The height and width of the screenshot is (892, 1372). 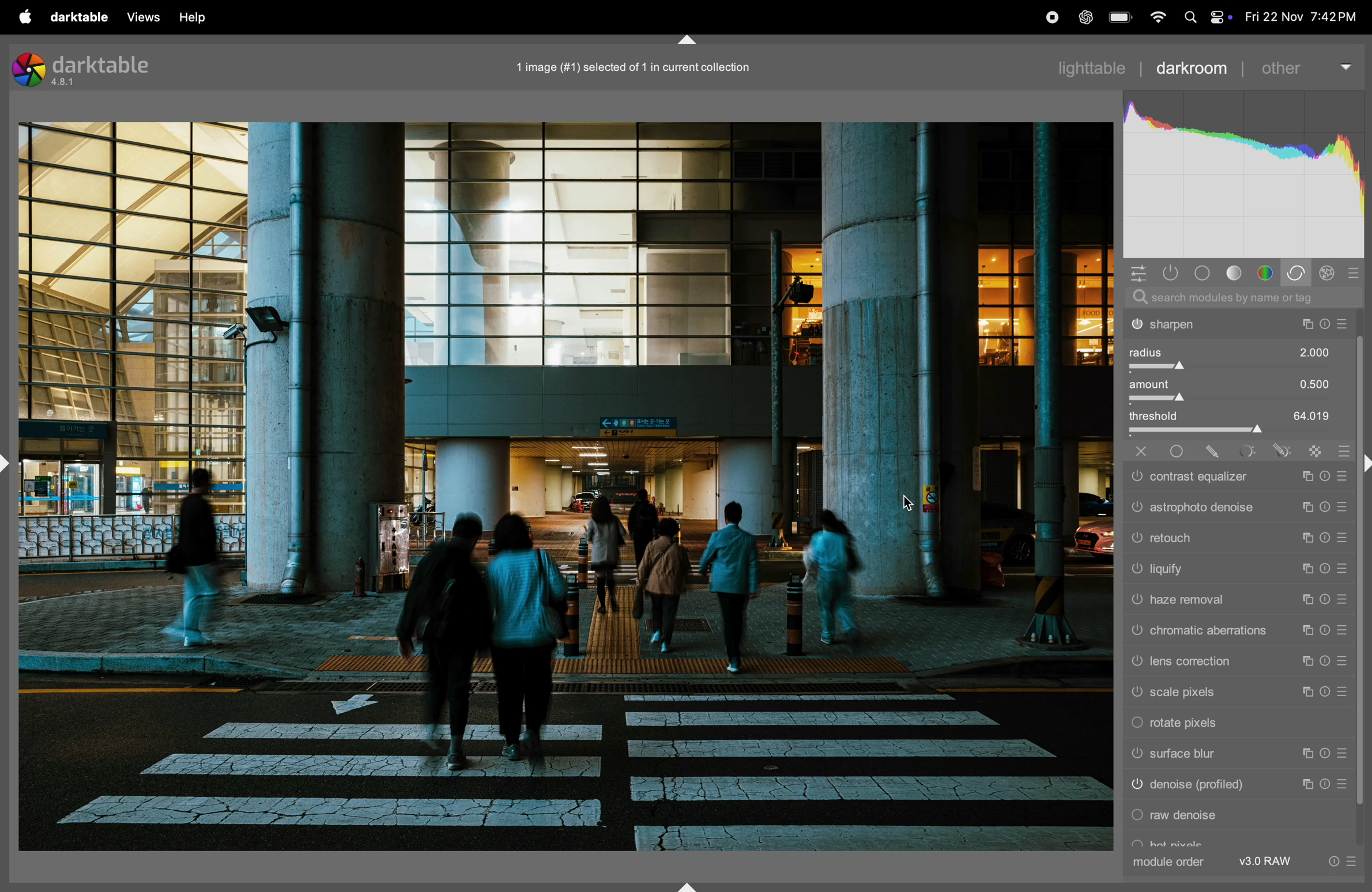 I want to click on reset, so click(x=1343, y=448).